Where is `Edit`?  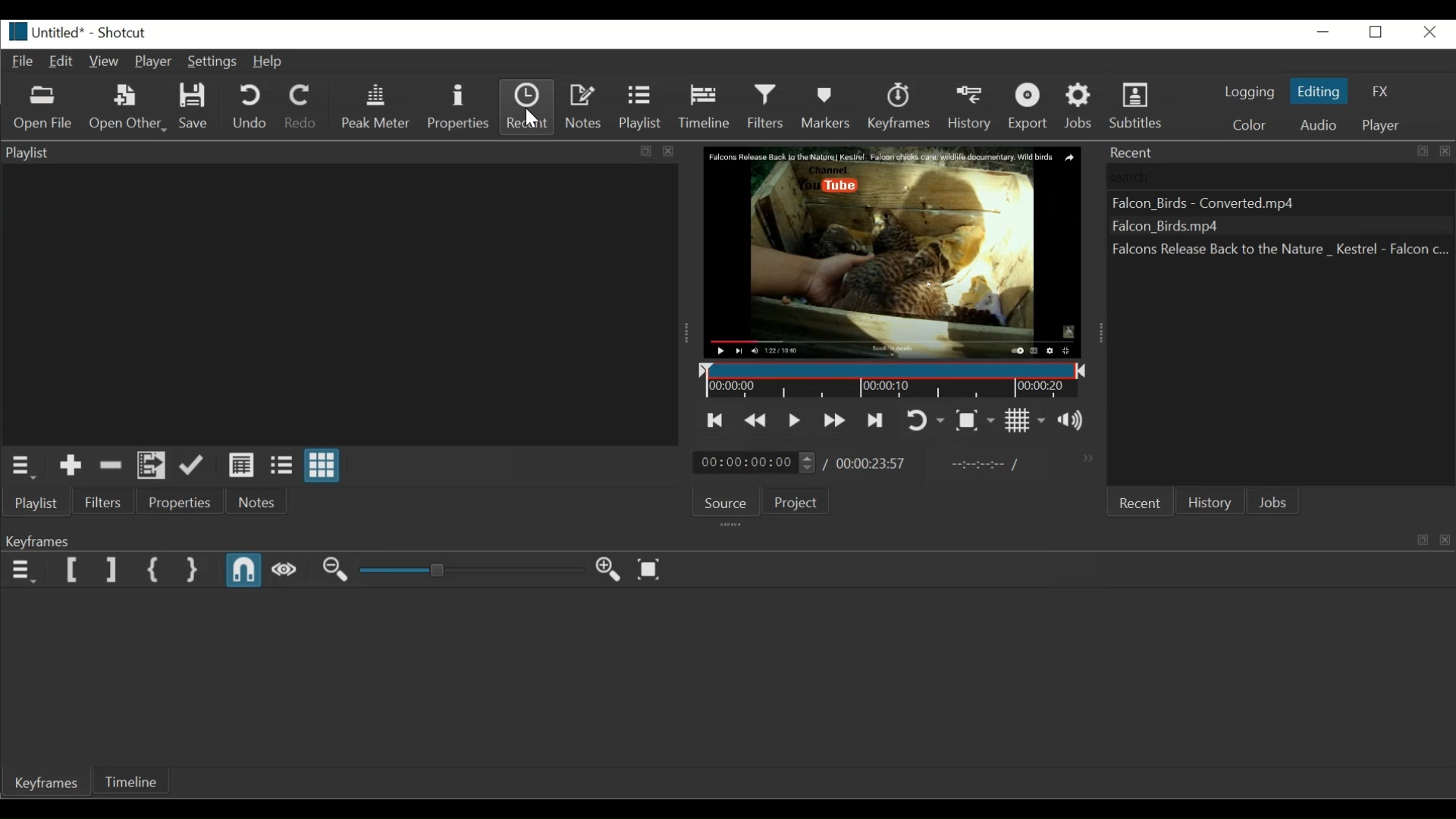 Edit is located at coordinates (61, 62).